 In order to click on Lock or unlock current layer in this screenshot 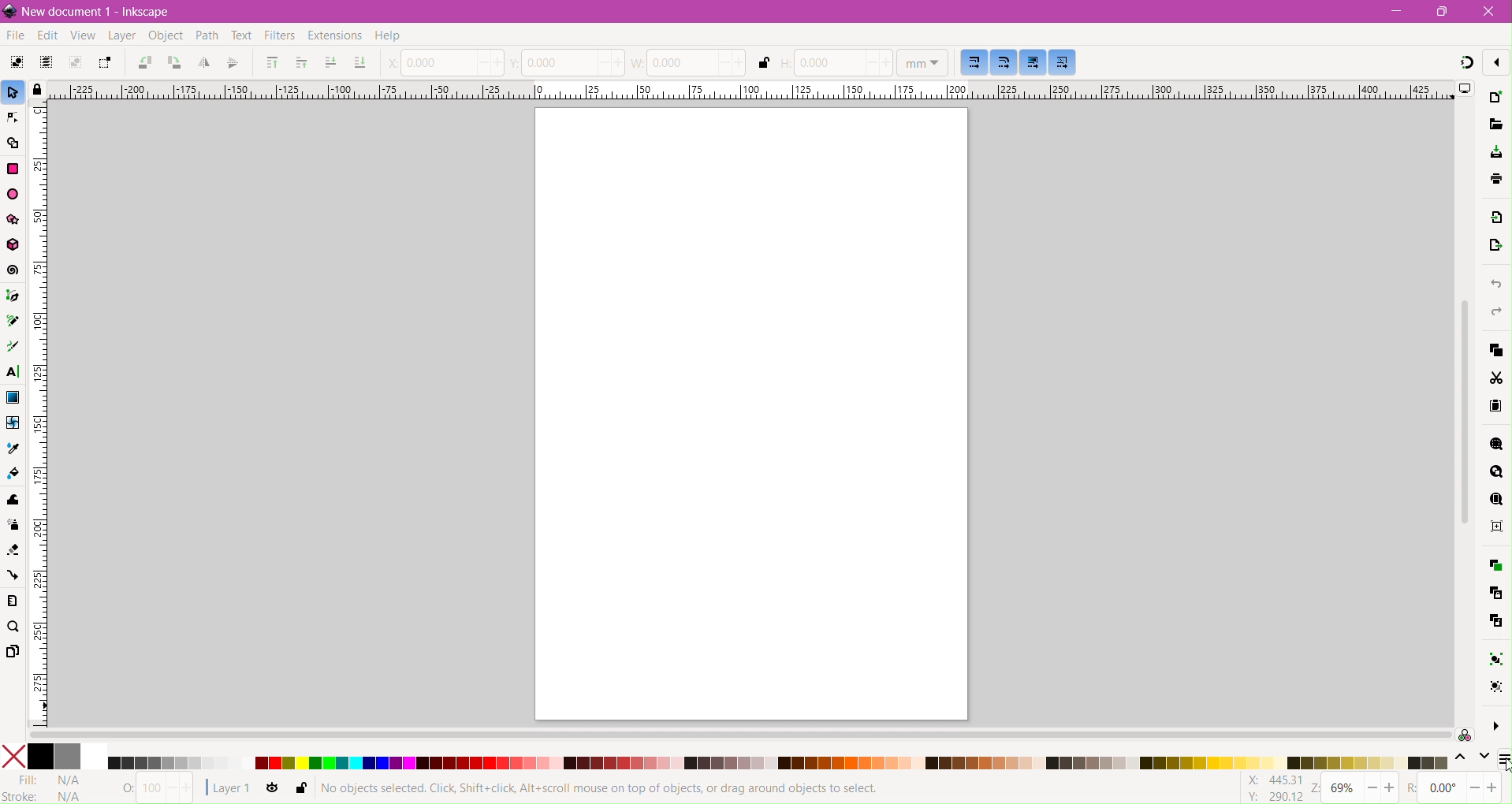, I will do `click(300, 789)`.